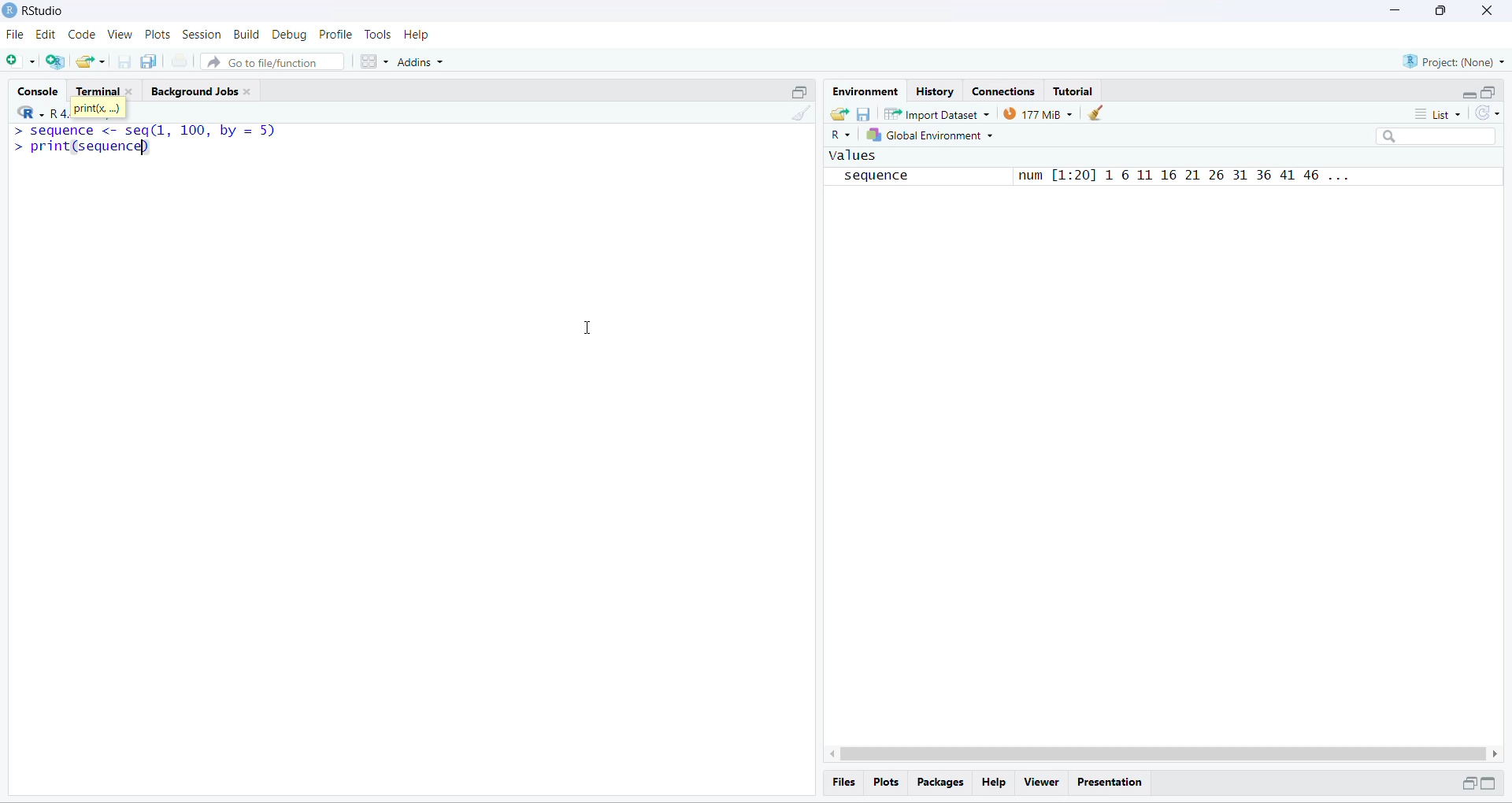  What do you see at coordinates (376, 62) in the screenshot?
I see `grid` at bounding box center [376, 62].